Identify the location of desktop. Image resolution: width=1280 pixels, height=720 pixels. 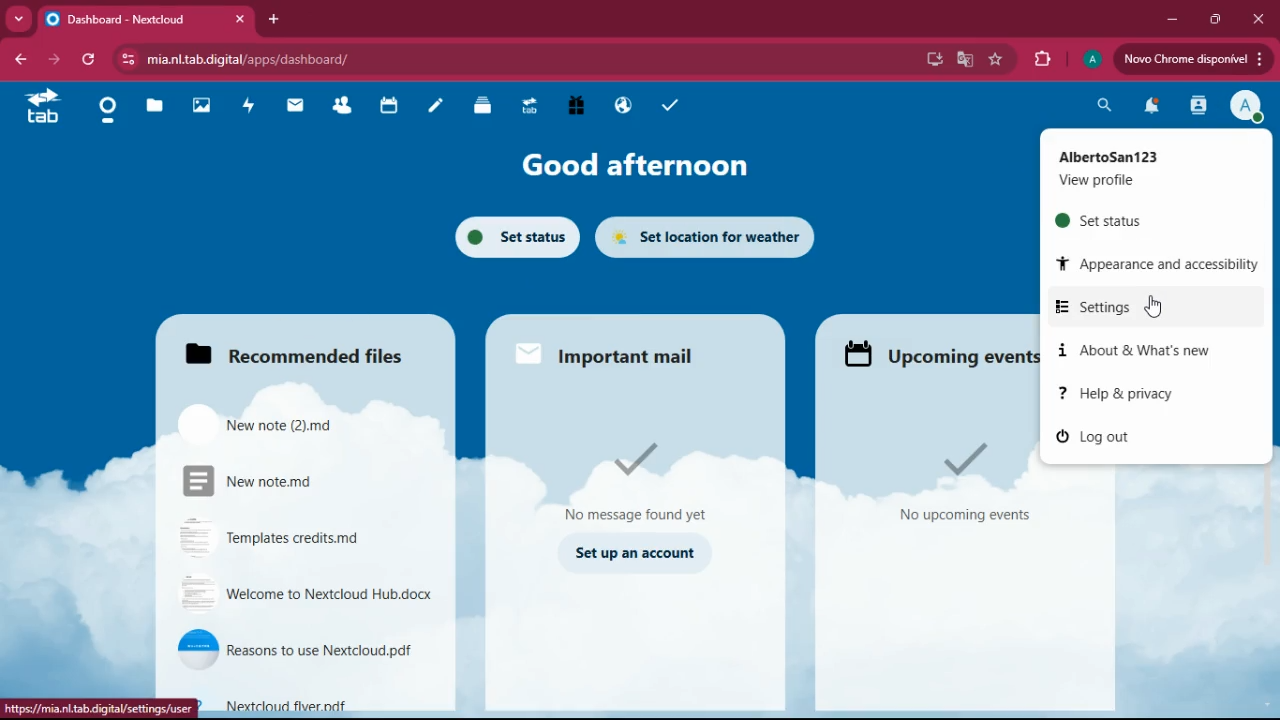
(932, 62).